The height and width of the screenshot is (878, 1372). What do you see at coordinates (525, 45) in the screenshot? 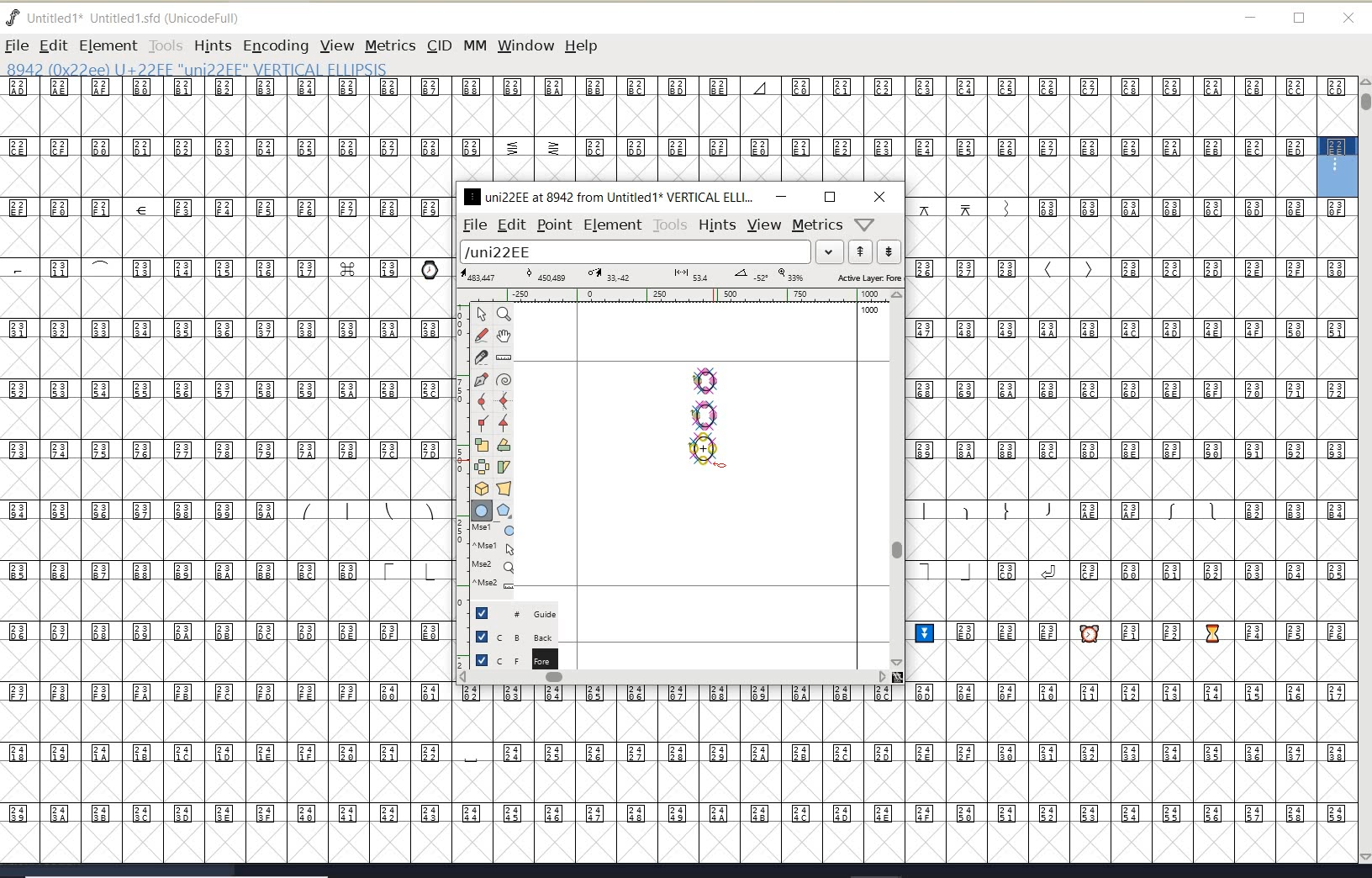
I see `window` at bounding box center [525, 45].